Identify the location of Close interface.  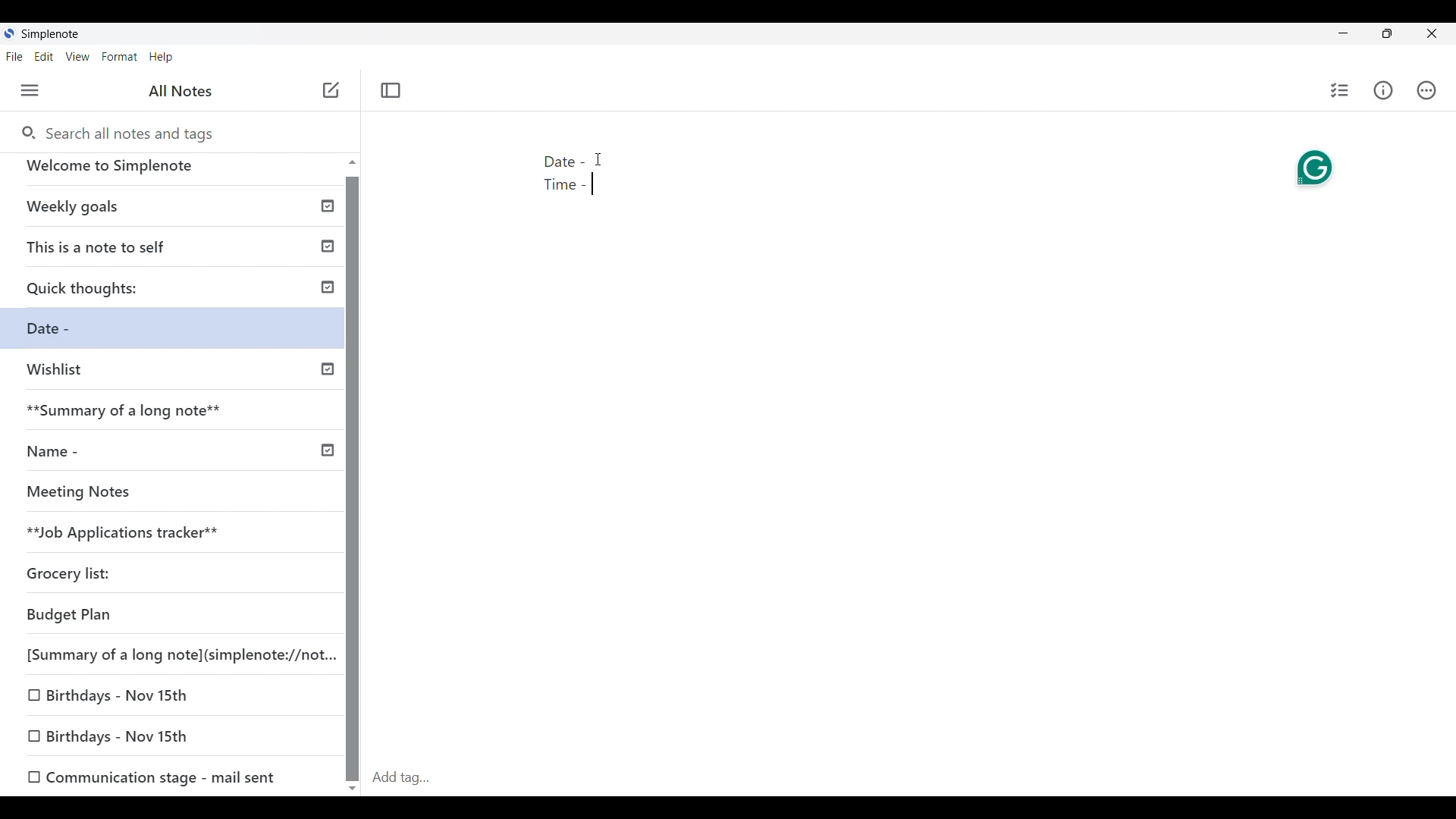
(1432, 33).